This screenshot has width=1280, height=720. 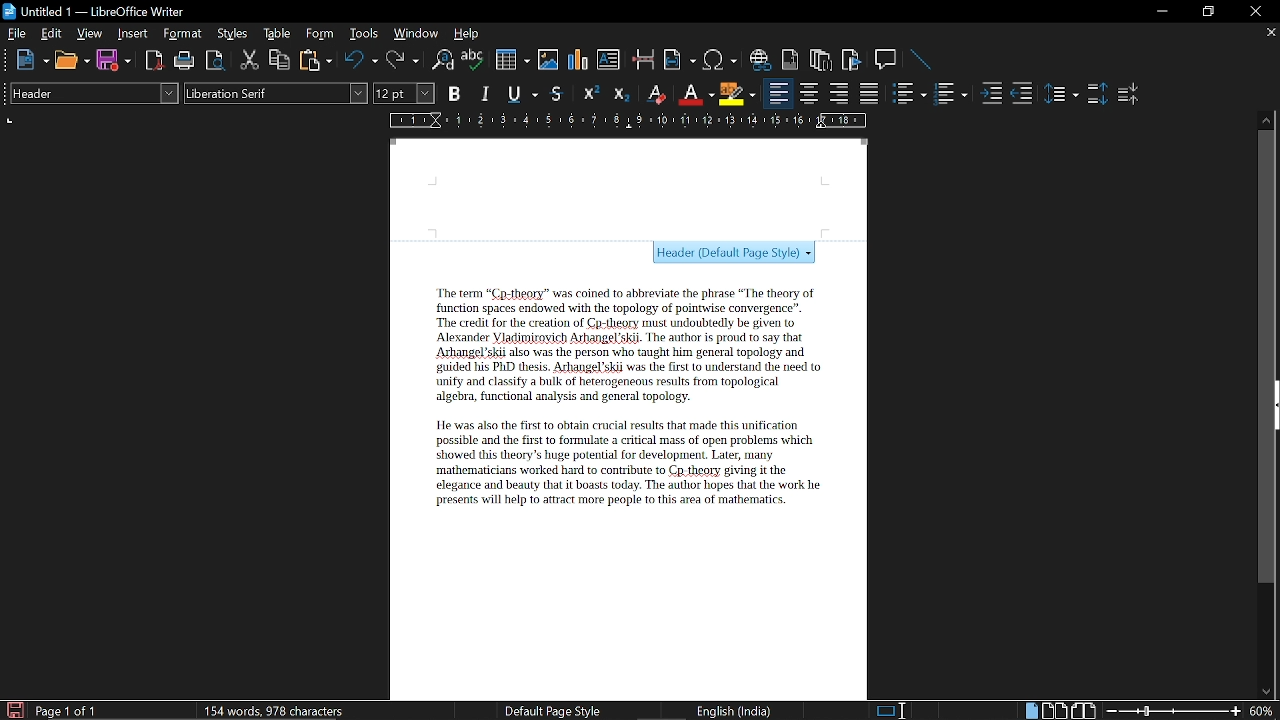 What do you see at coordinates (250, 60) in the screenshot?
I see `Cut` at bounding box center [250, 60].